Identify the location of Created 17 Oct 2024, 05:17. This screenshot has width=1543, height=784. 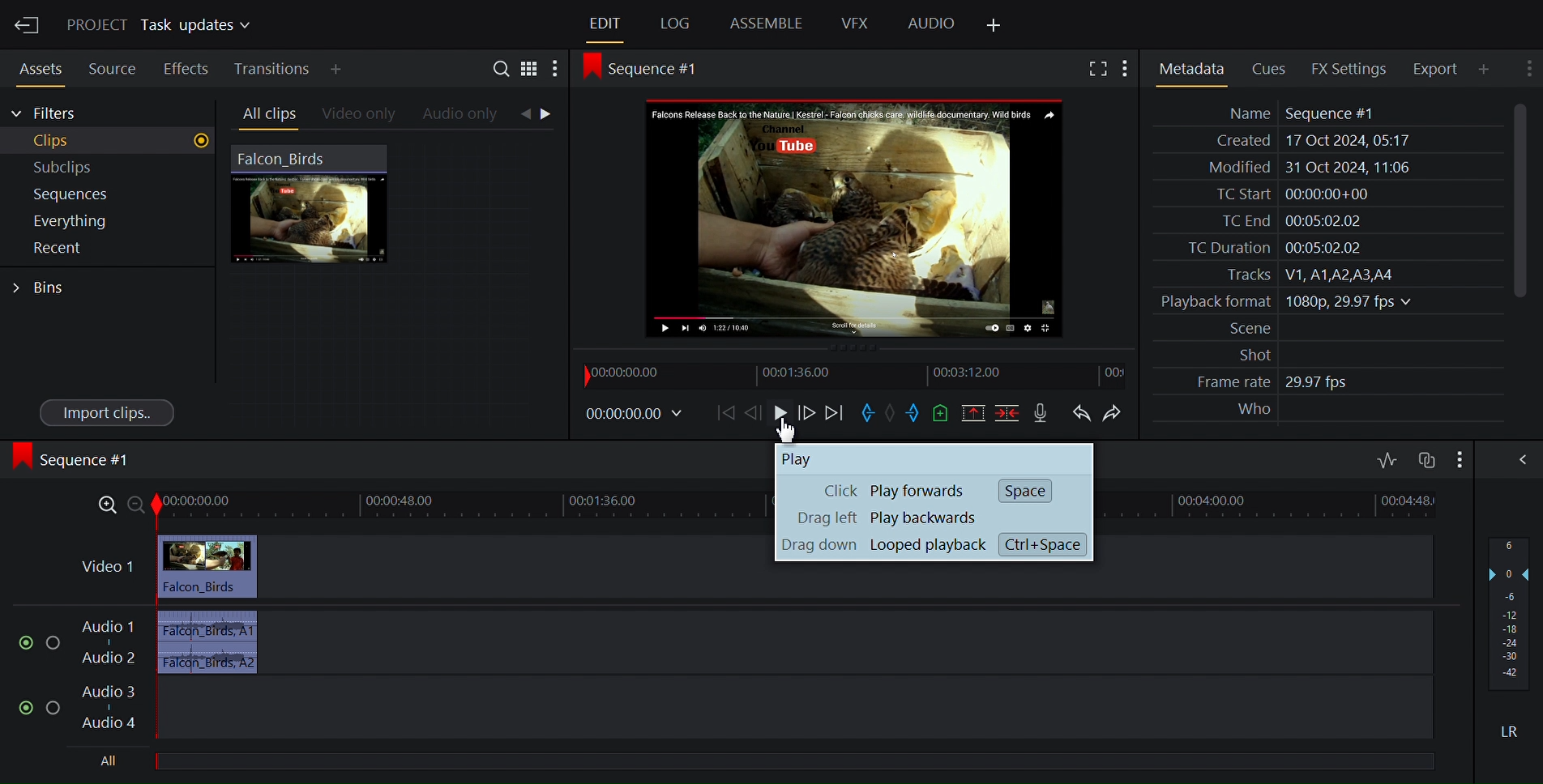
(1306, 141).